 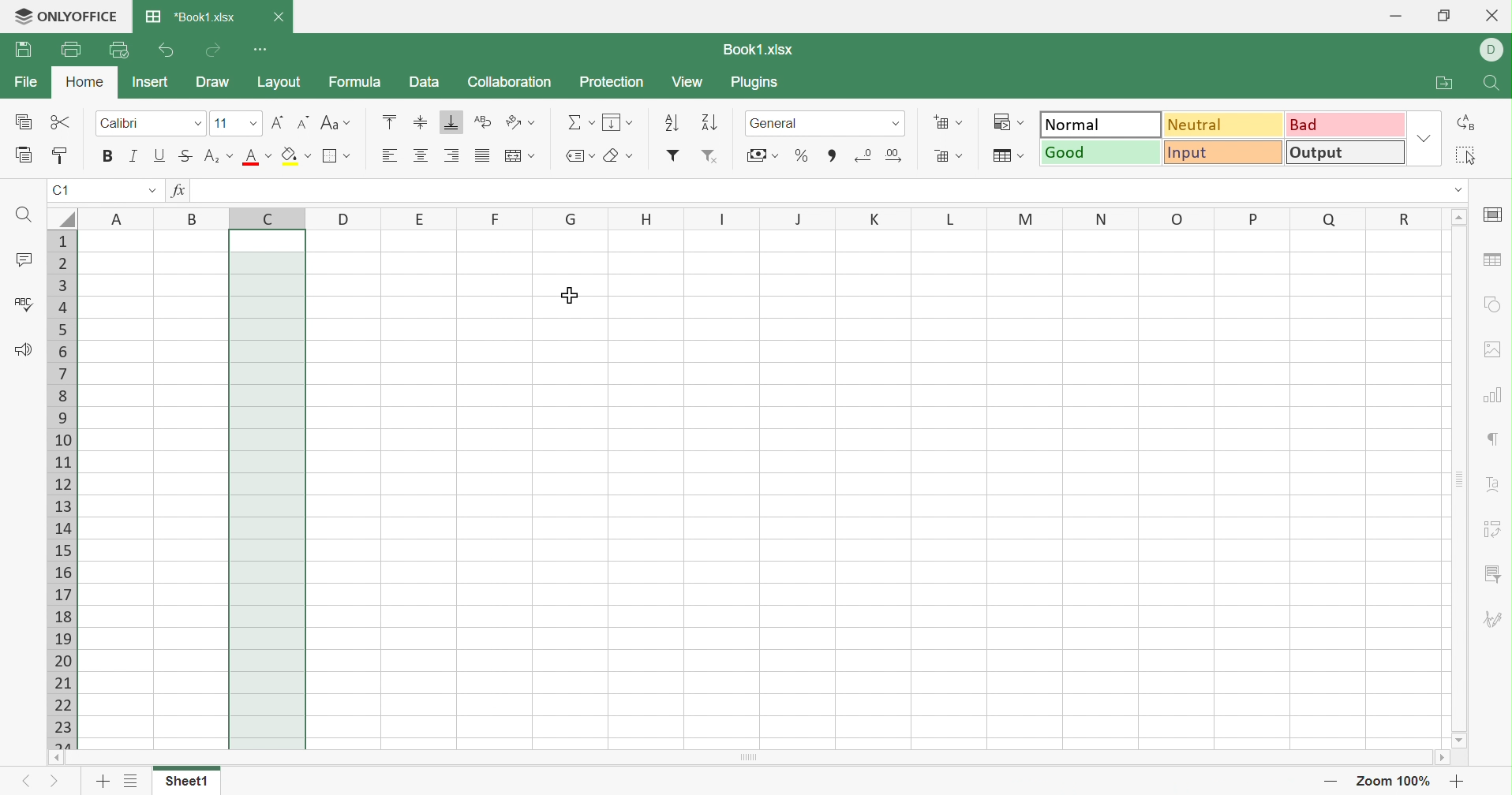 I want to click on Drop Down, so click(x=775, y=155).